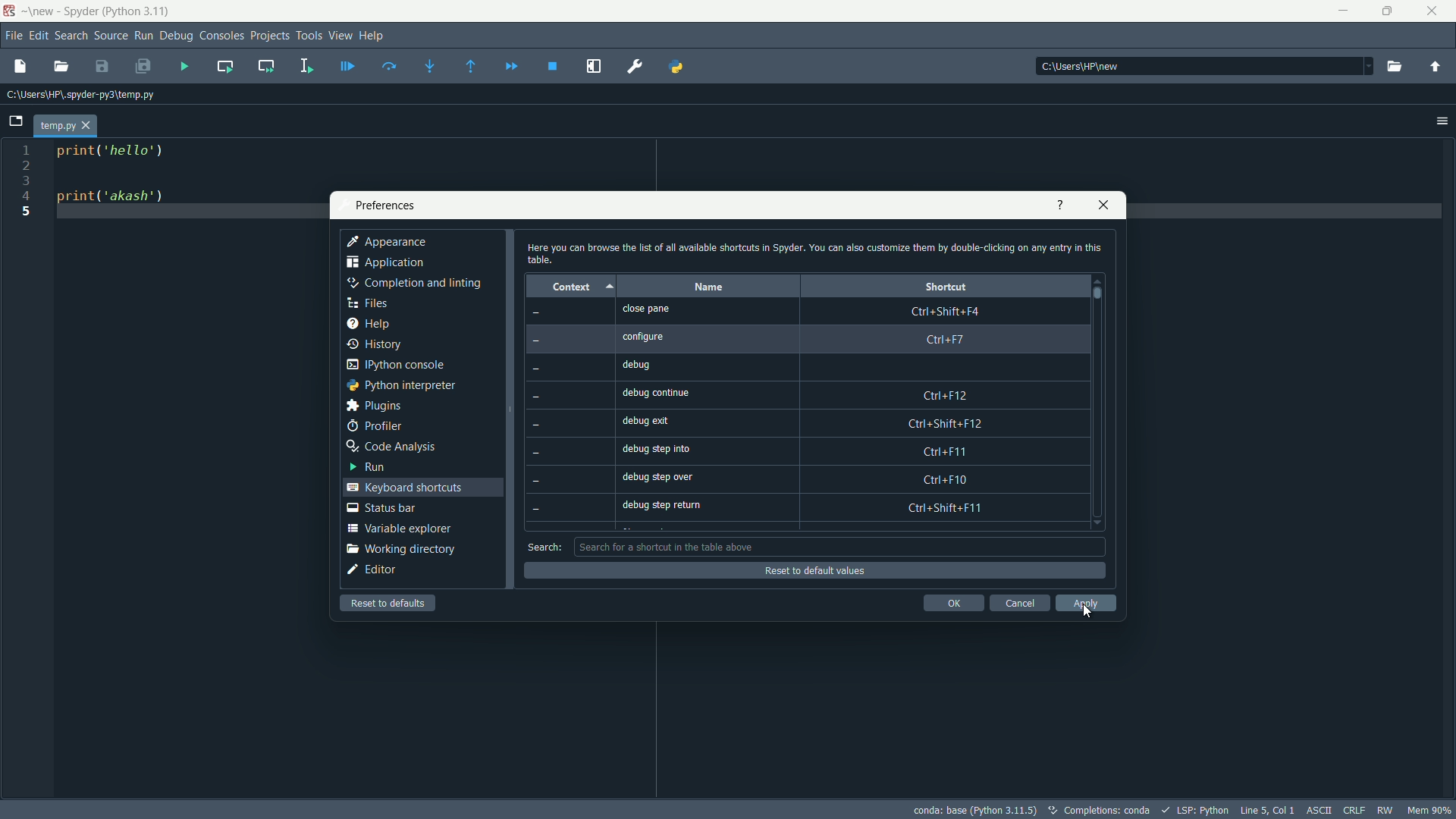  I want to click on None Text, so click(543, 417).